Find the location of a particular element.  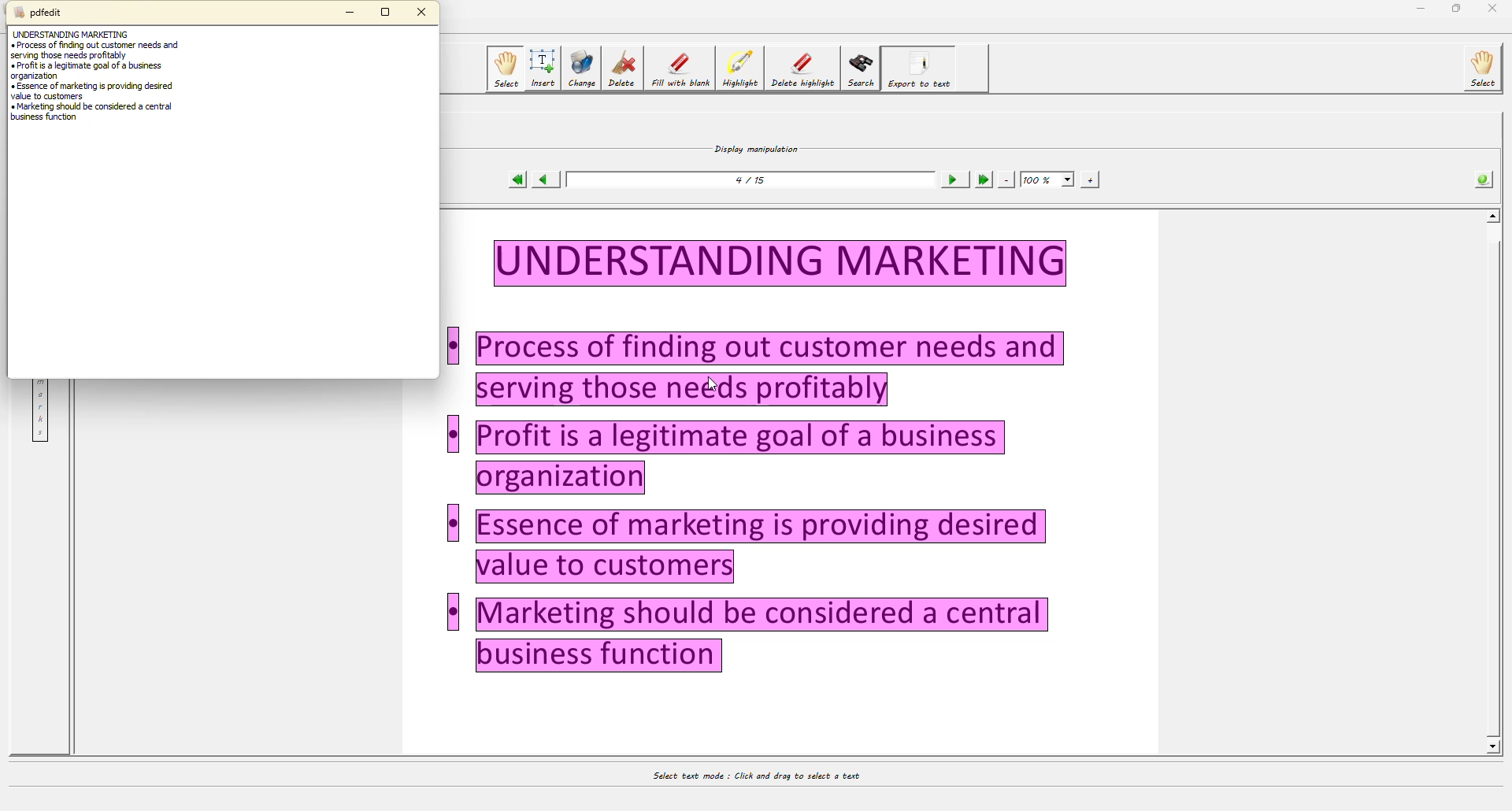

export to text is located at coordinates (920, 69).